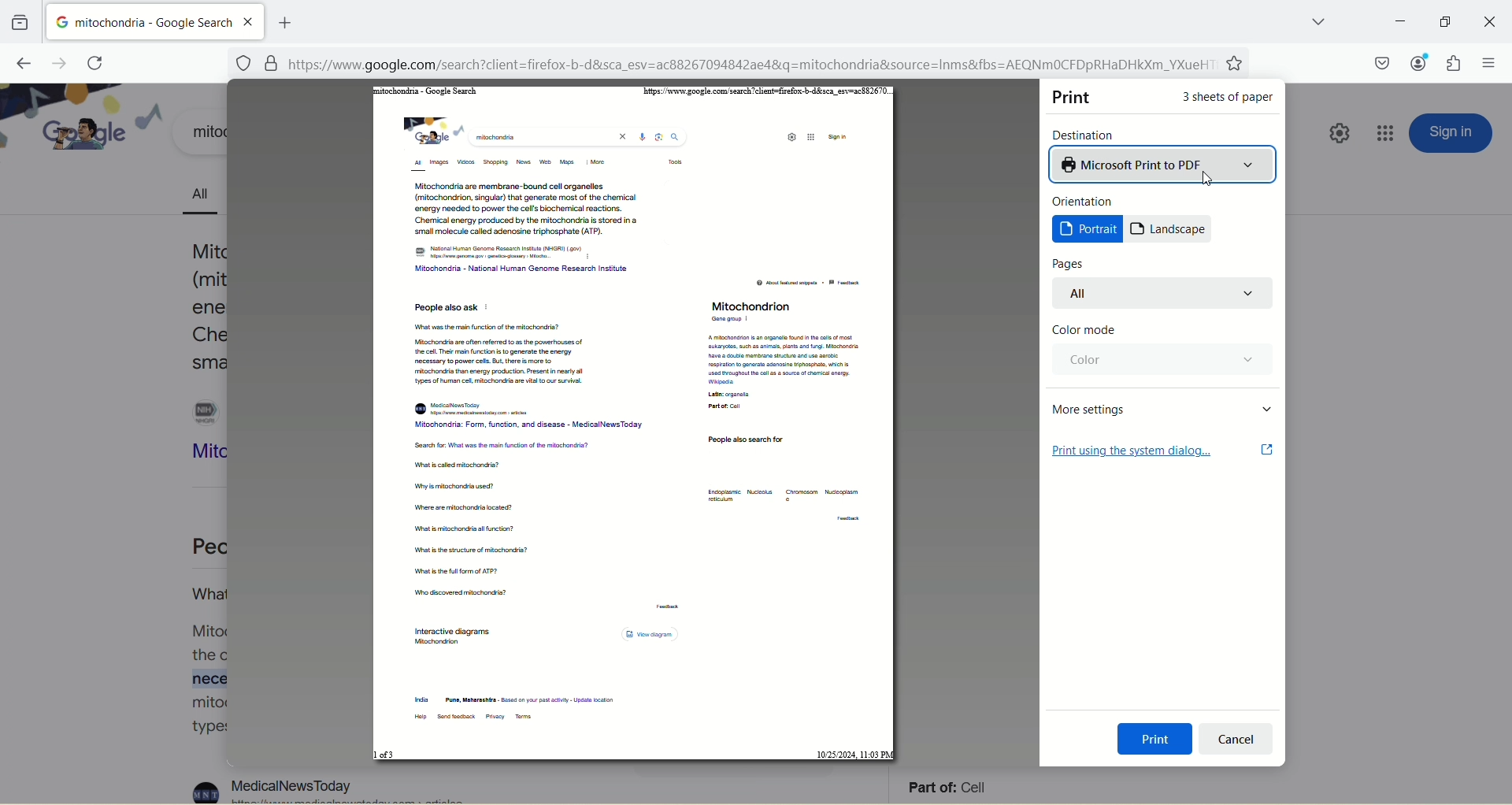  I want to click on extension, so click(1457, 63).